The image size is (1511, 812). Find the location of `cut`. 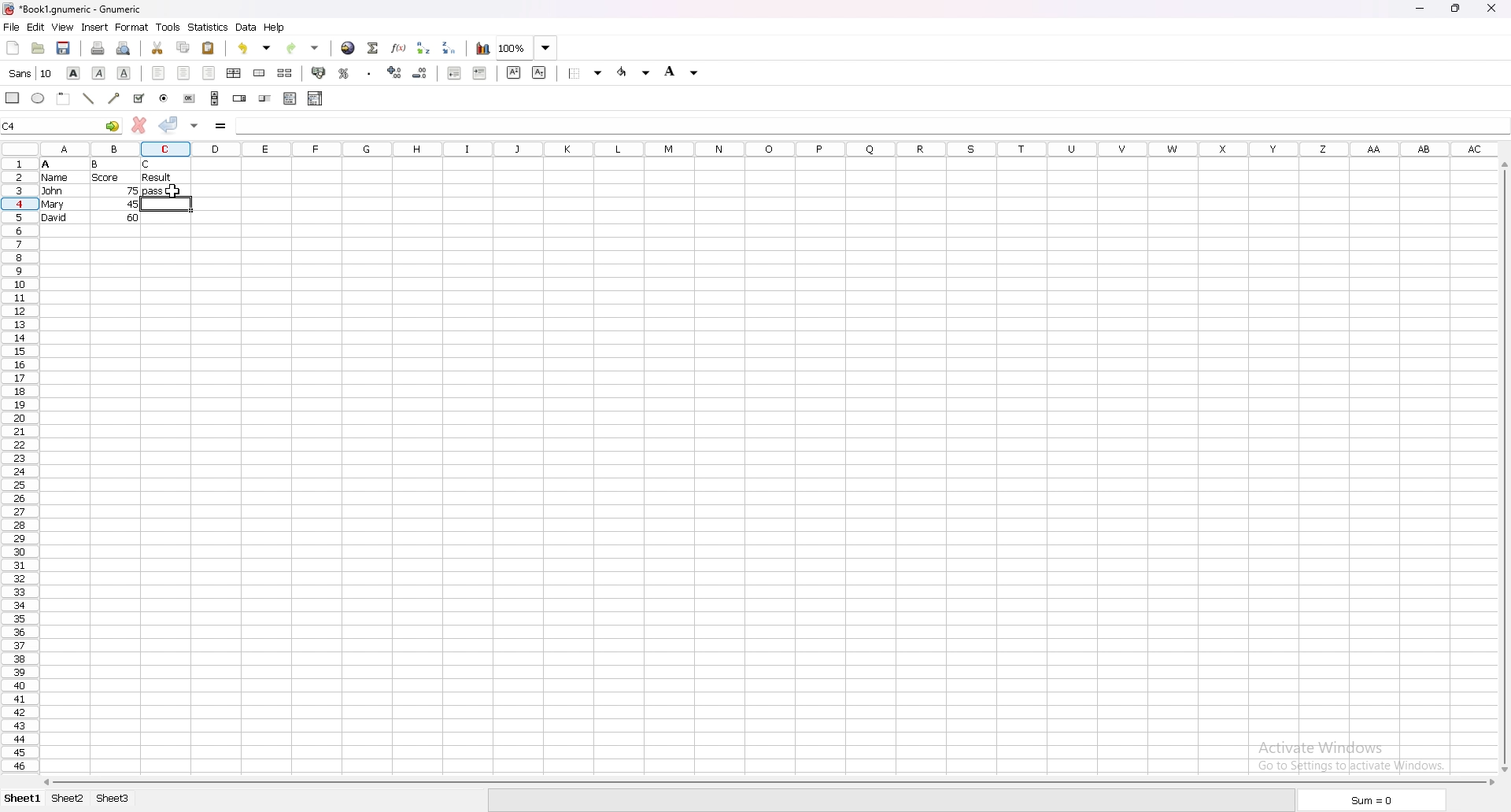

cut is located at coordinates (157, 48).